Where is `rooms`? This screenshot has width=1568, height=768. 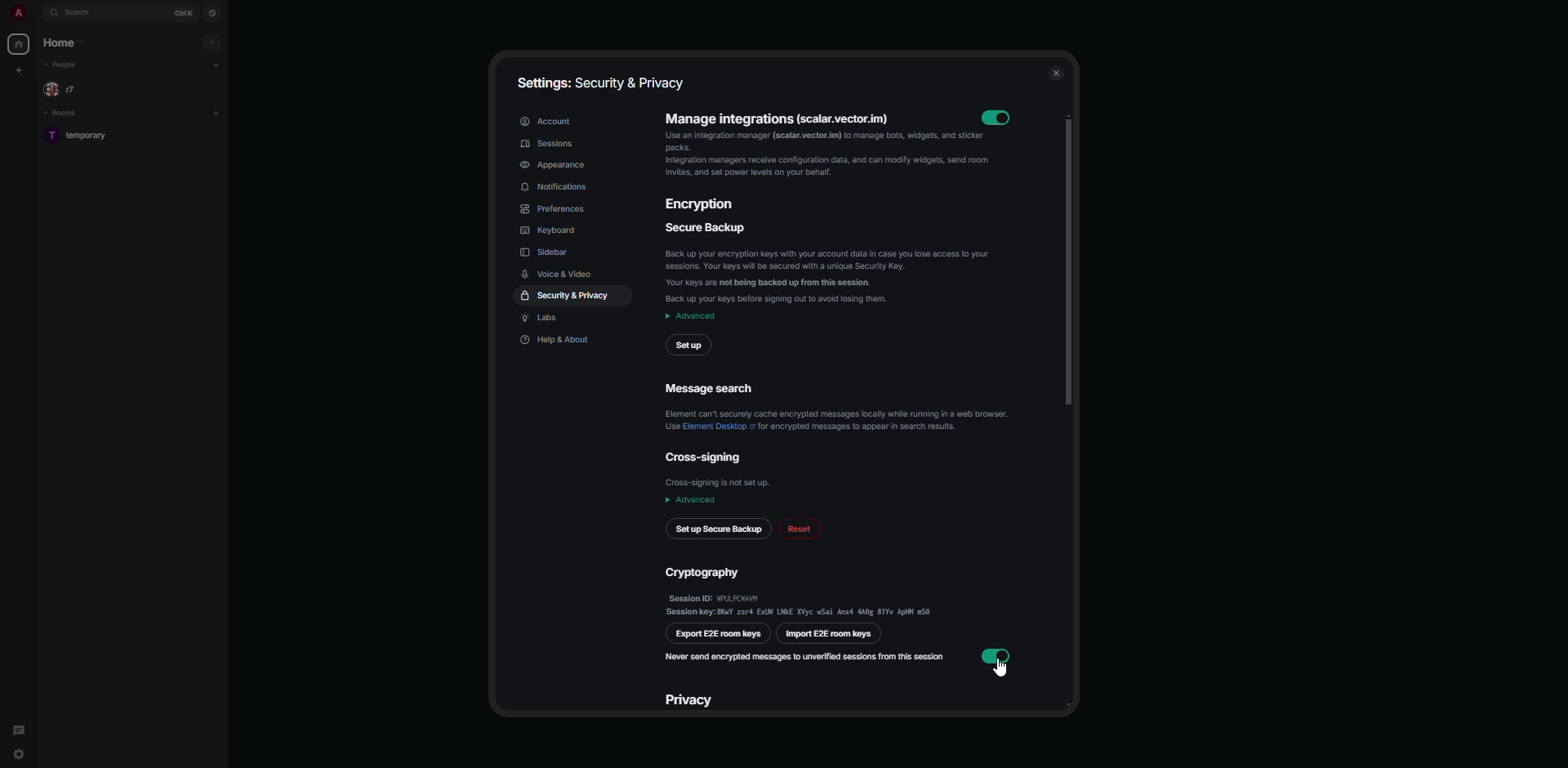
rooms is located at coordinates (62, 114).